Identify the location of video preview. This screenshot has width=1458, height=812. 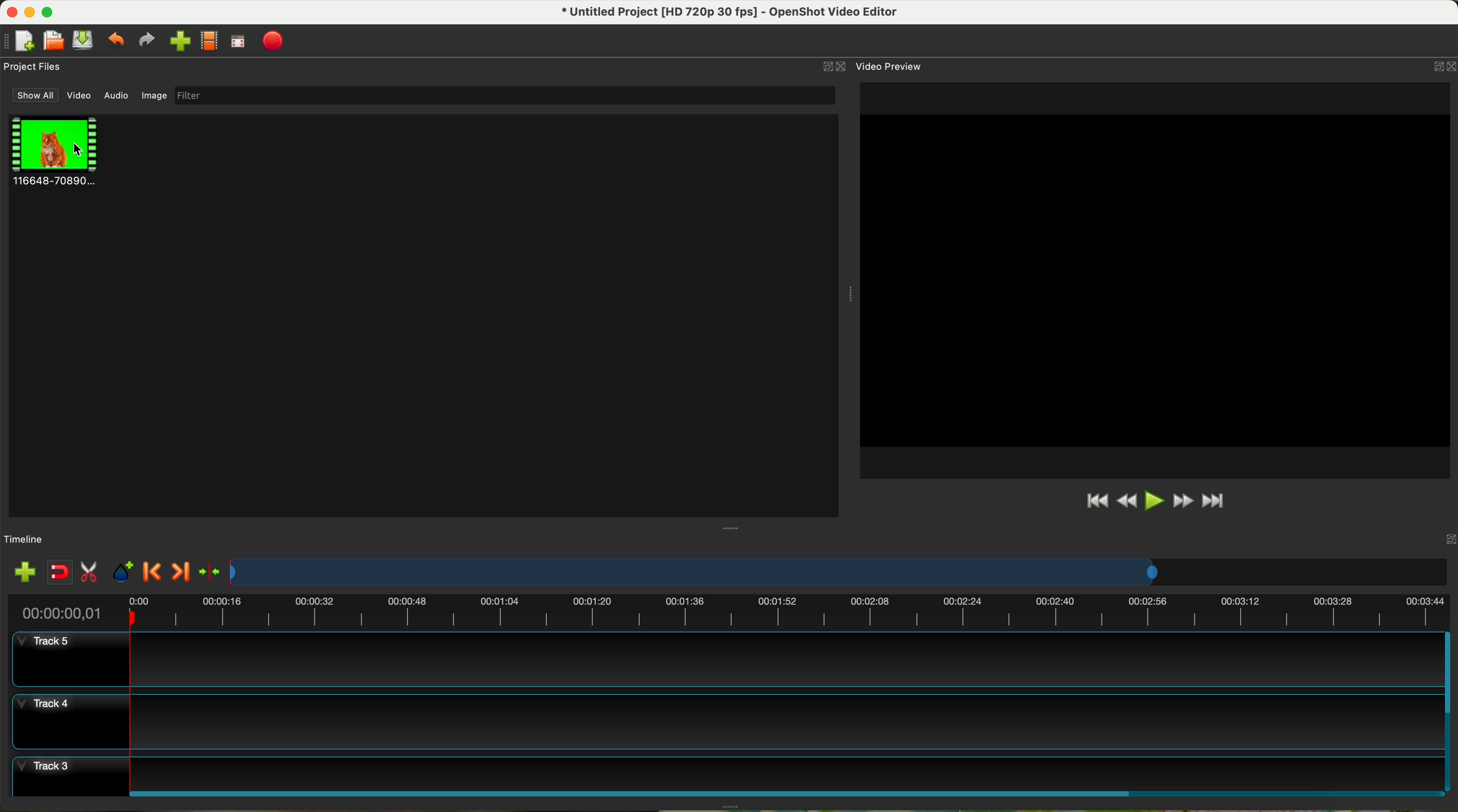
(891, 66).